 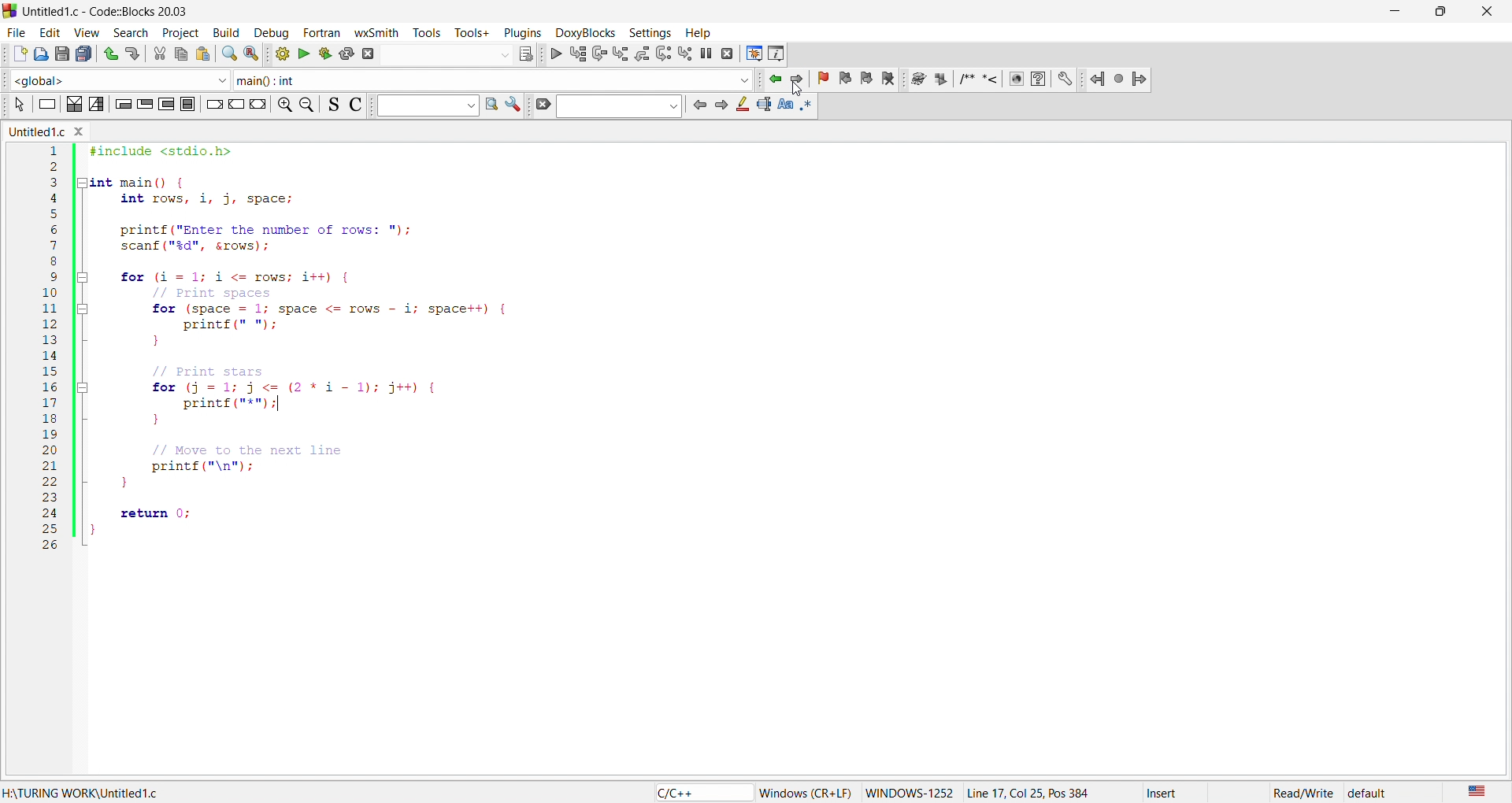 What do you see at coordinates (330, 105) in the screenshot?
I see `icon` at bounding box center [330, 105].